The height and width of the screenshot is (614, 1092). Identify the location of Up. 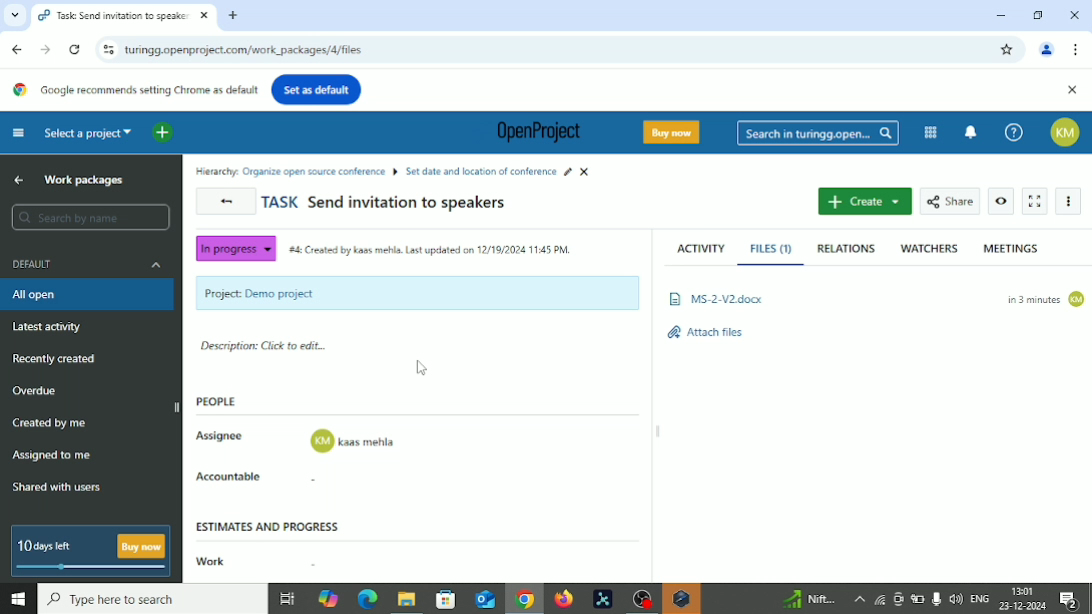
(19, 179).